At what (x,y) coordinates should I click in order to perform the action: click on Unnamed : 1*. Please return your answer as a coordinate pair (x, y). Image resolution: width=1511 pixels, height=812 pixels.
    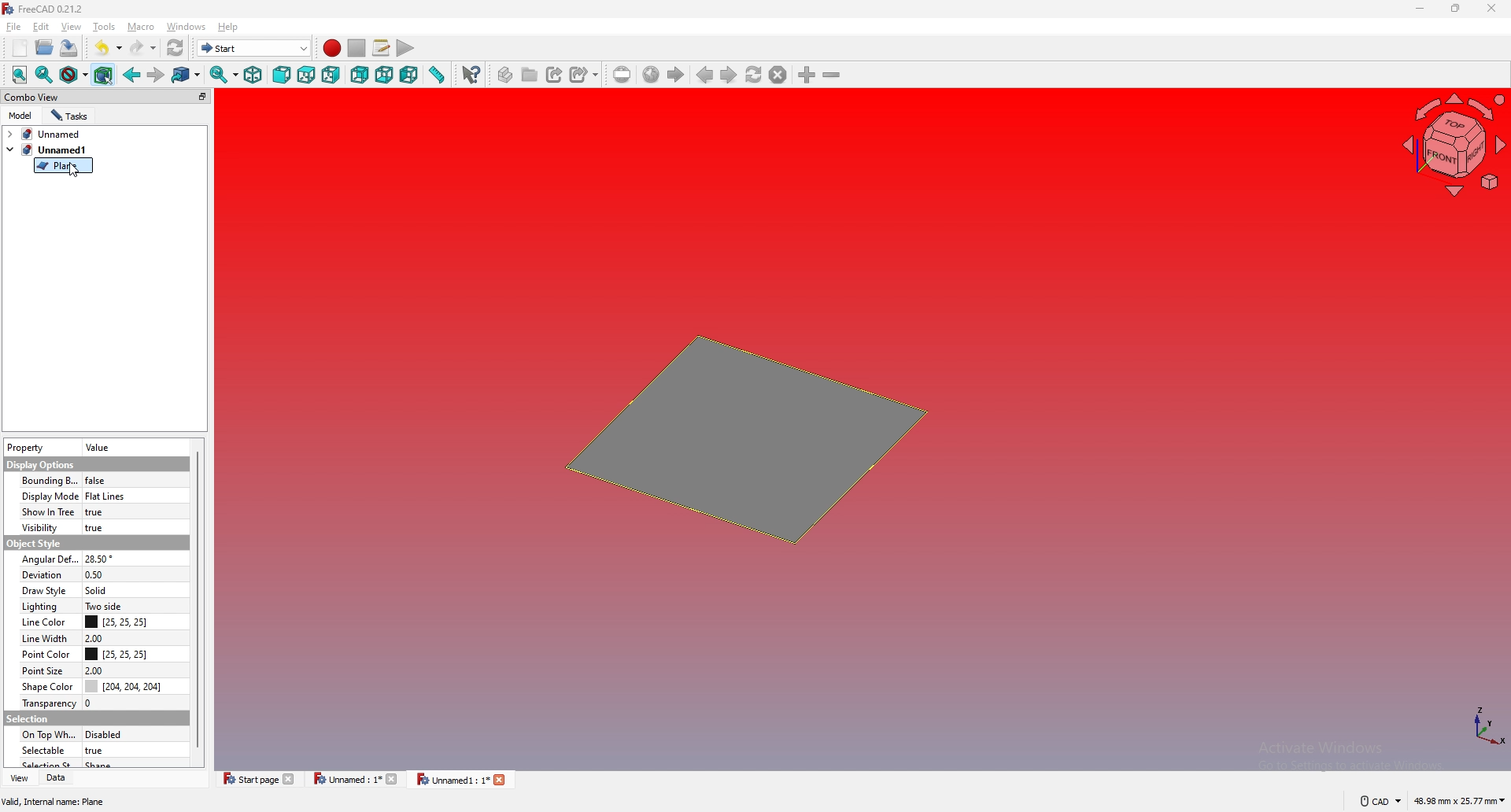
    Looking at the image, I should click on (356, 779).